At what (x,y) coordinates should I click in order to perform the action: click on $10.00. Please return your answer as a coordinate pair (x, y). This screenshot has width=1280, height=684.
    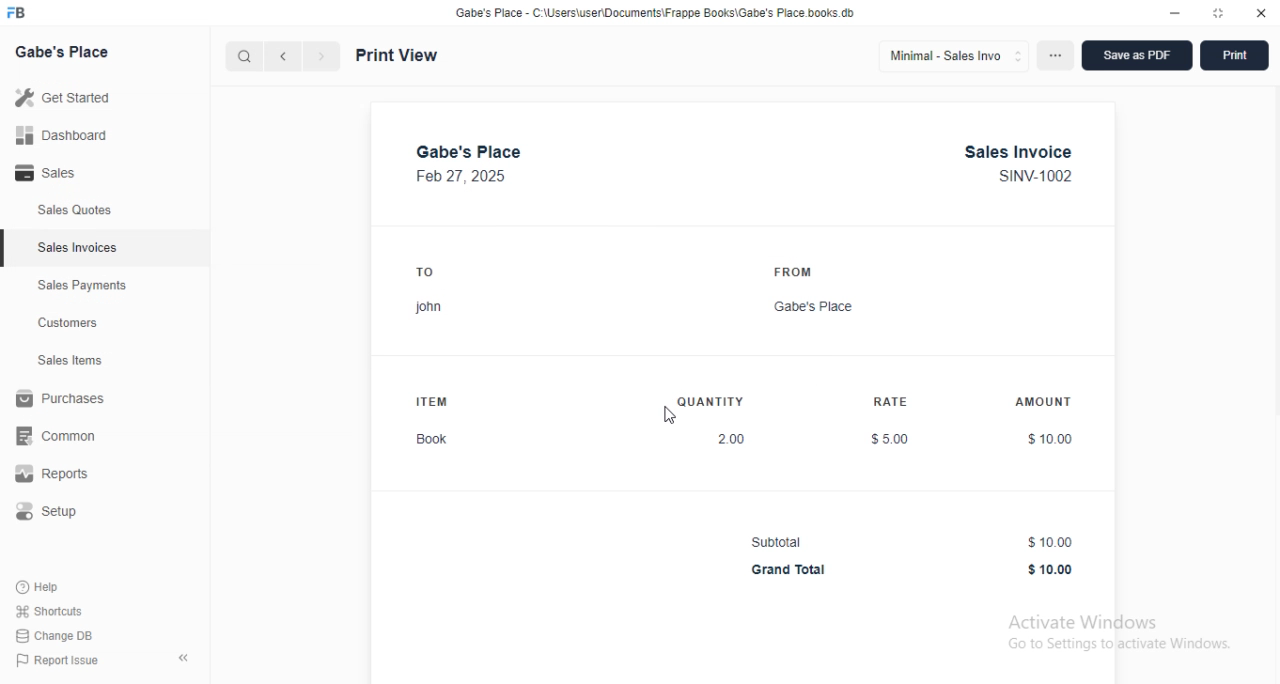
    Looking at the image, I should click on (1051, 570).